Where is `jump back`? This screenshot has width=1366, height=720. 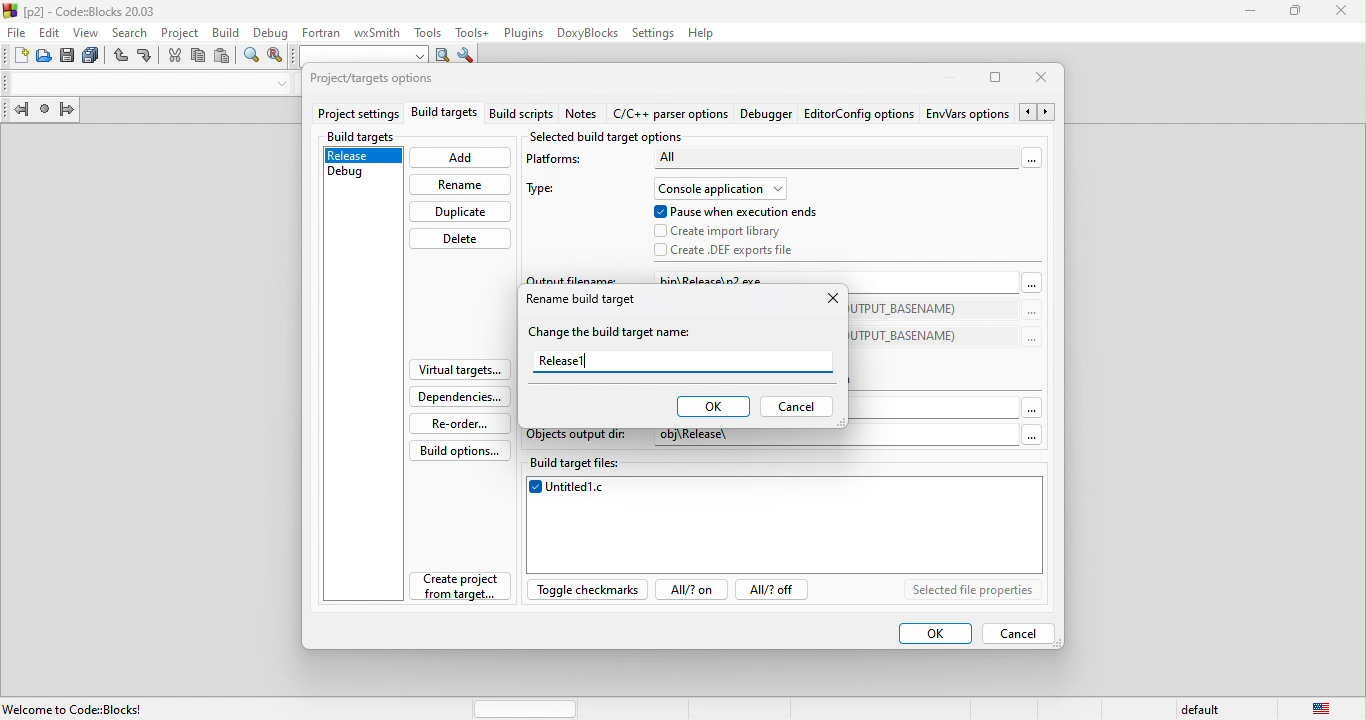
jump back is located at coordinates (17, 112).